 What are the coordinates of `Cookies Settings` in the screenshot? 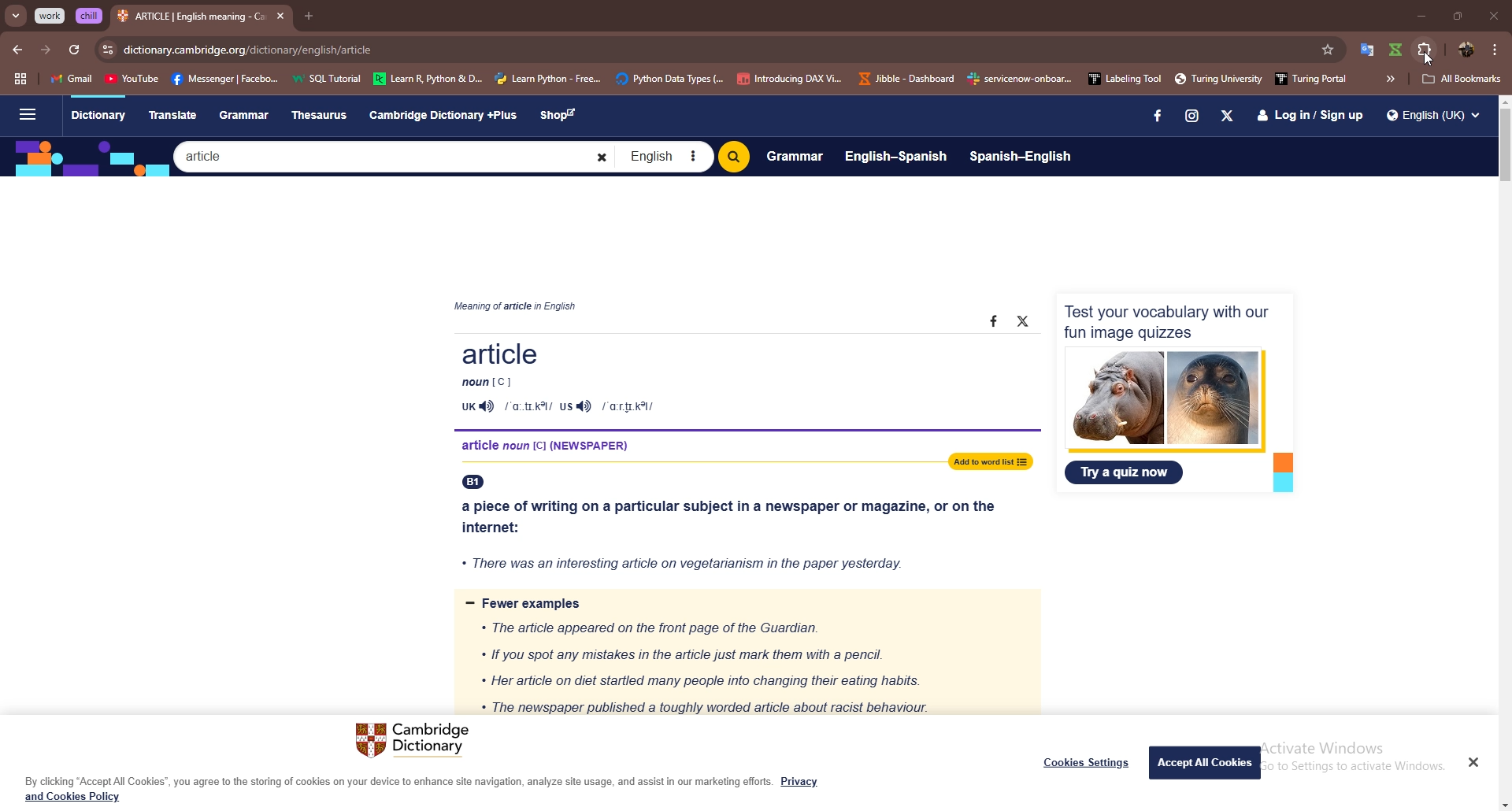 It's located at (1087, 762).